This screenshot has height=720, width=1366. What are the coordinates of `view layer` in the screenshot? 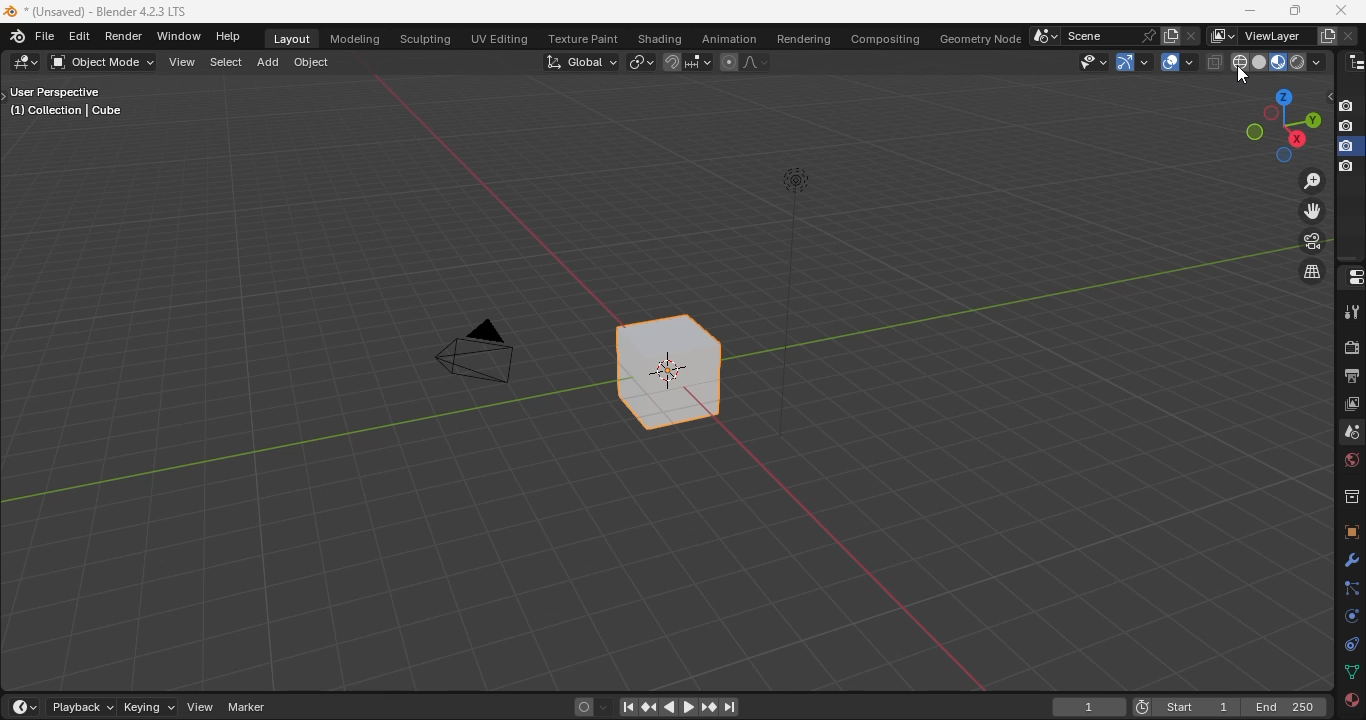 It's located at (1352, 405).